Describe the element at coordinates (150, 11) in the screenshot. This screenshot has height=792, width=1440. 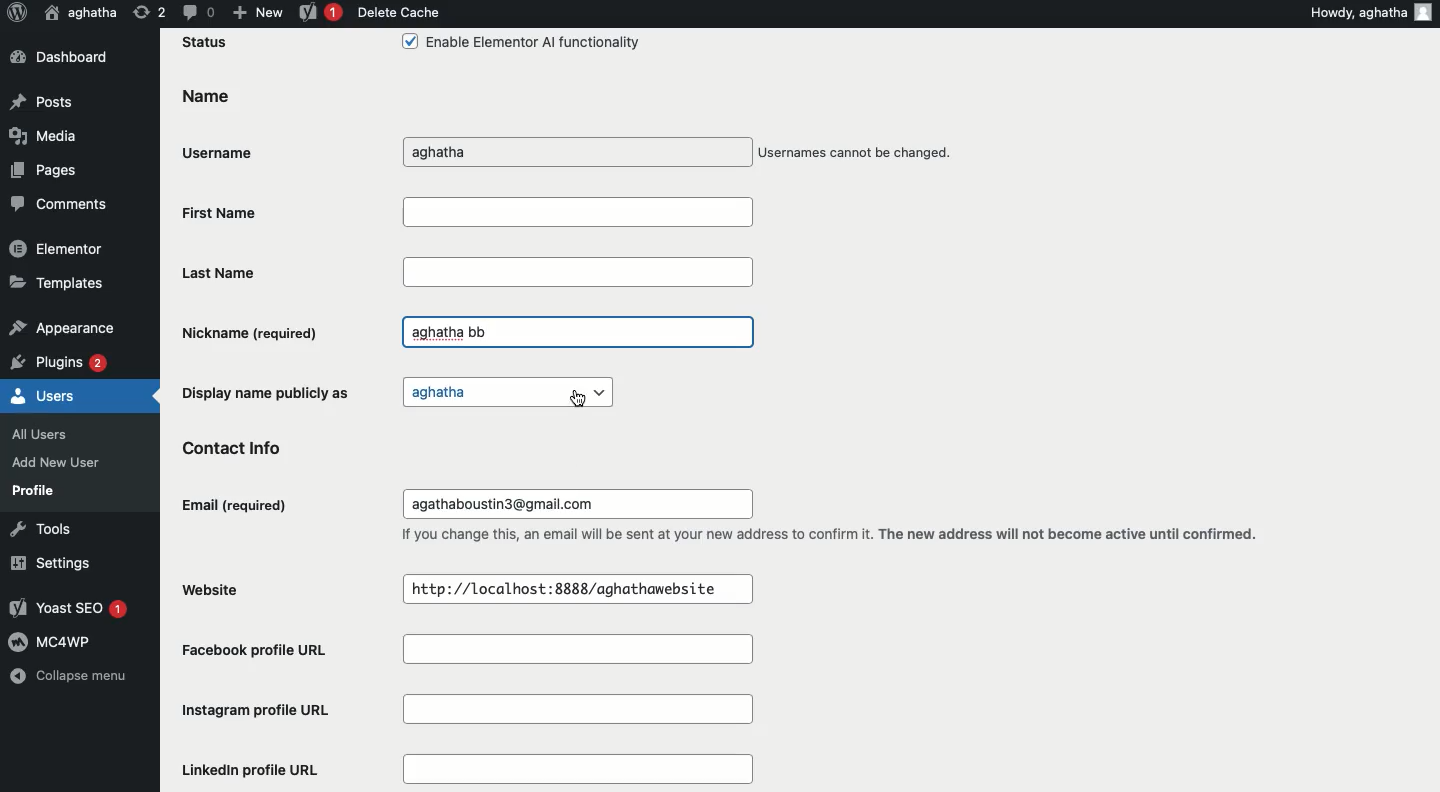
I see `Revision` at that location.